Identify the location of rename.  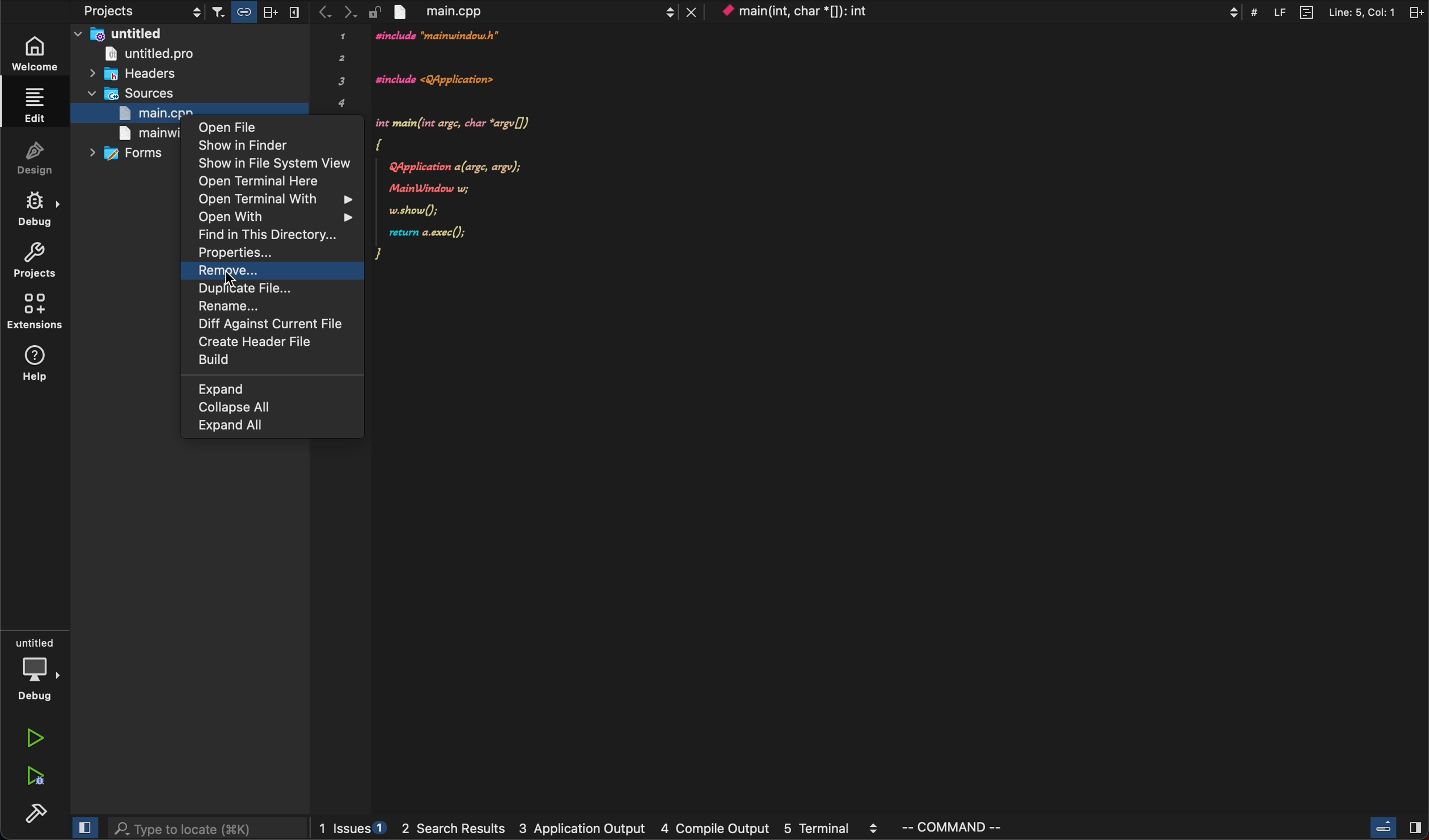
(239, 306).